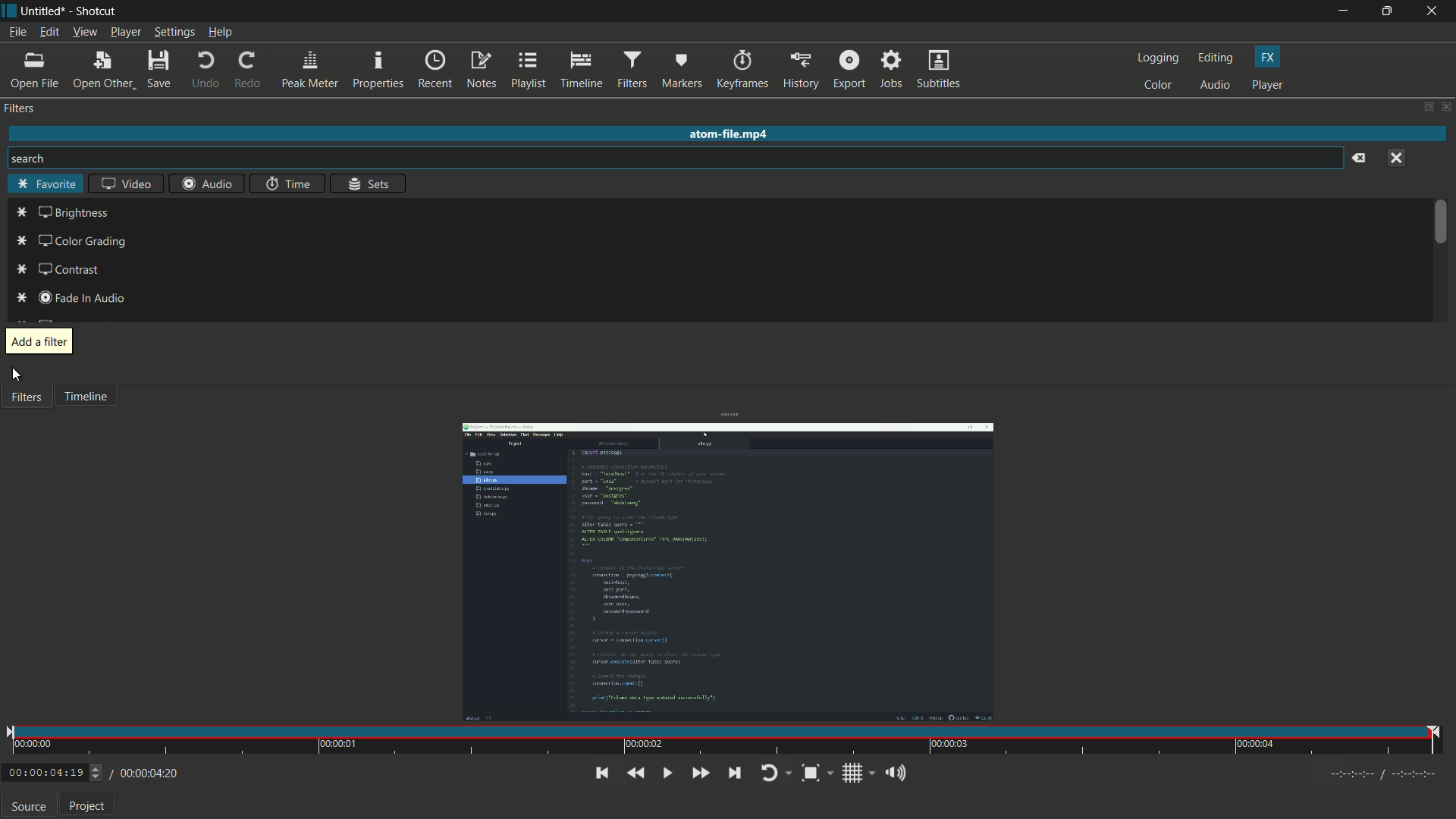  Describe the element at coordinates (1435, 11) in the screenshot. I see `close app` at that location.